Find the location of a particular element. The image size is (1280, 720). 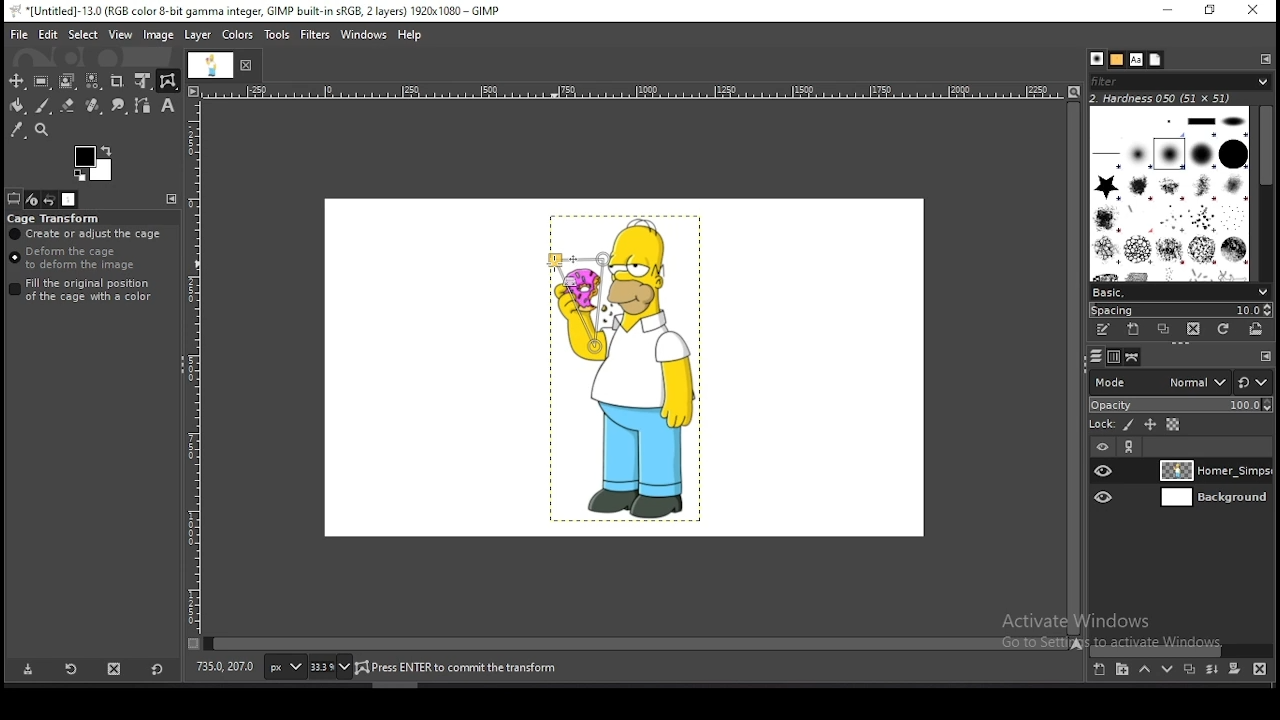

layer on/off is located at coordinates (1102, 446).